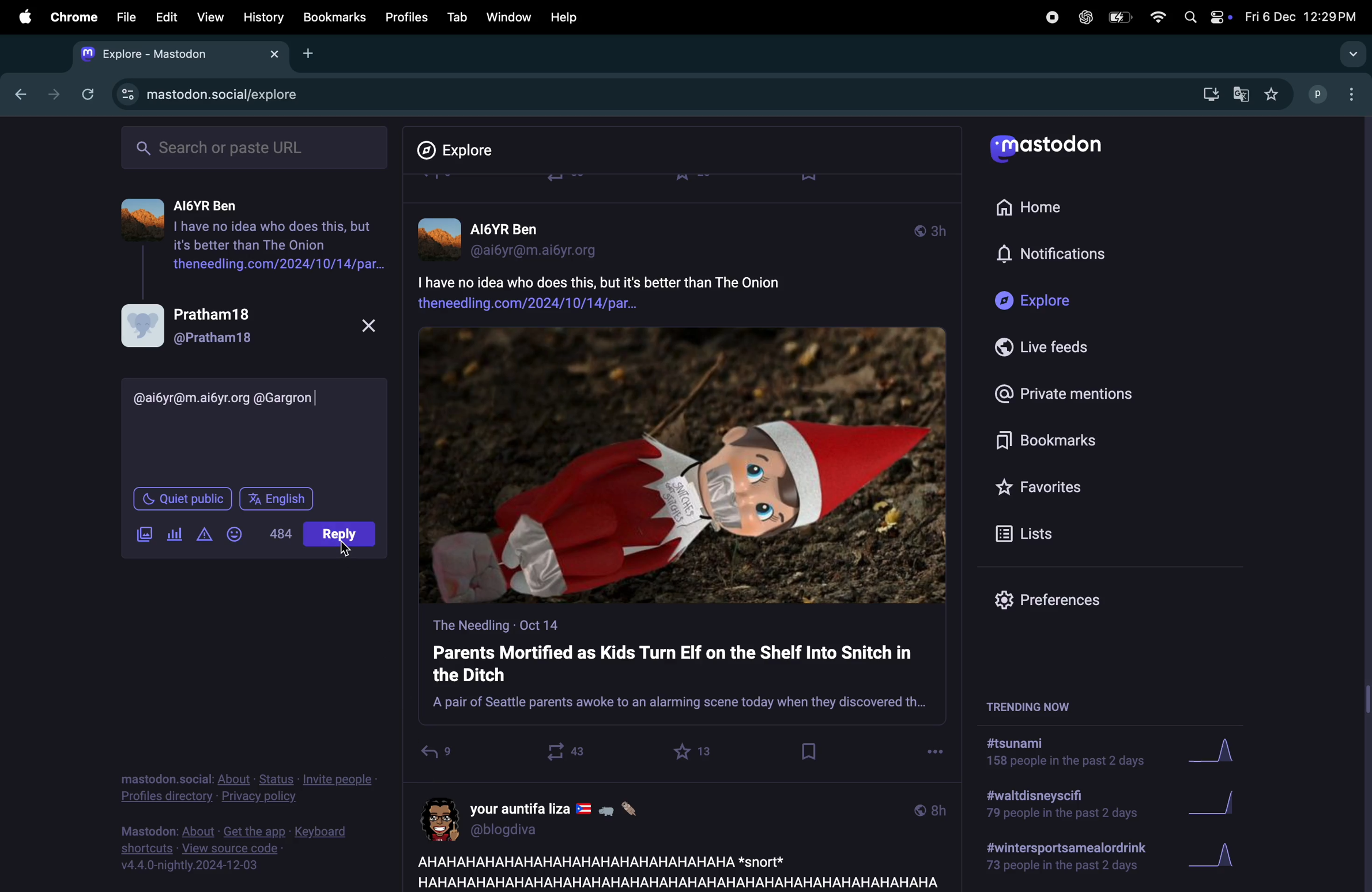 The width and height of the screenshot is (1372, 892). I want to click on user profile, so click(1336, 93).